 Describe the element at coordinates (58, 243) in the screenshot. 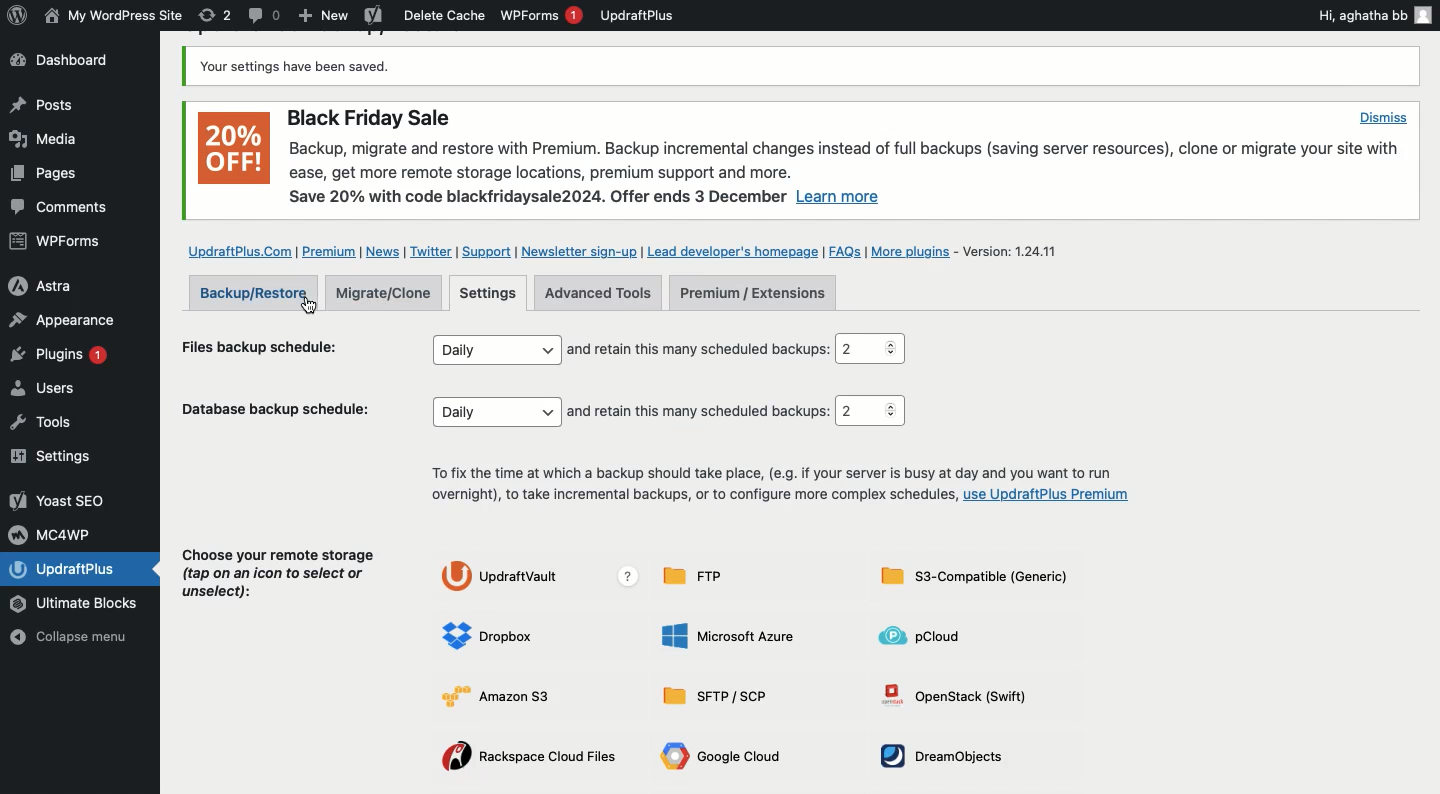

I see `WPForms` at that location.